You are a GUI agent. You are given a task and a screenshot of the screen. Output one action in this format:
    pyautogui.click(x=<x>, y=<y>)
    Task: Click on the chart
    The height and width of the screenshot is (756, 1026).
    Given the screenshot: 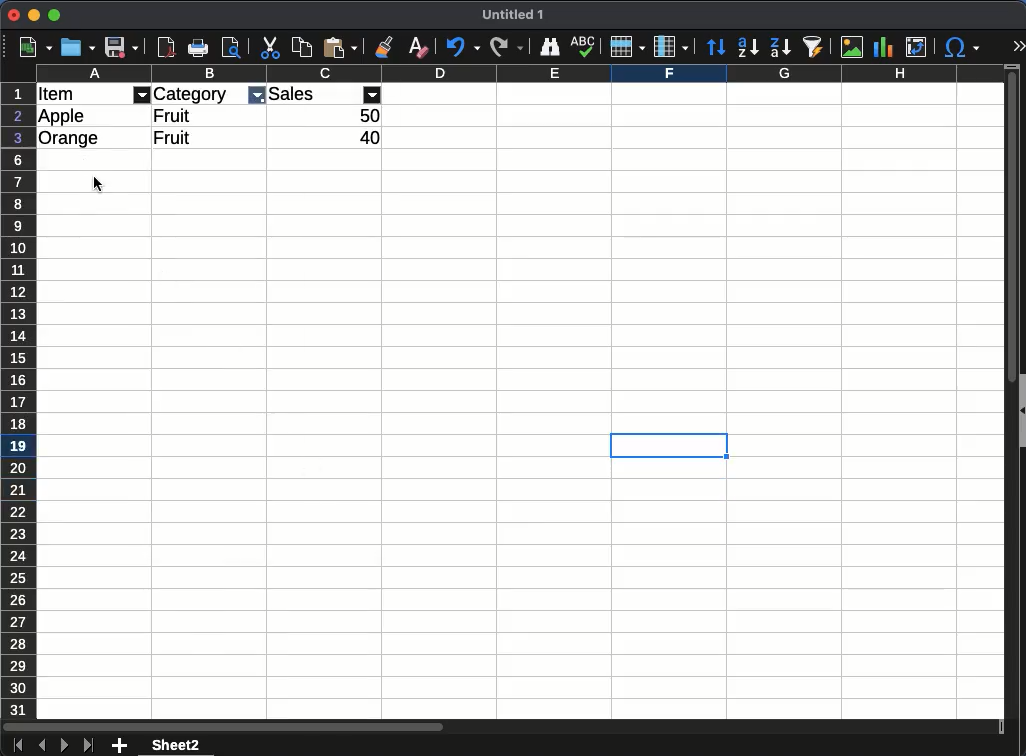 What is the action you would take?
    pyautogui.click(x=887, y=47)
    